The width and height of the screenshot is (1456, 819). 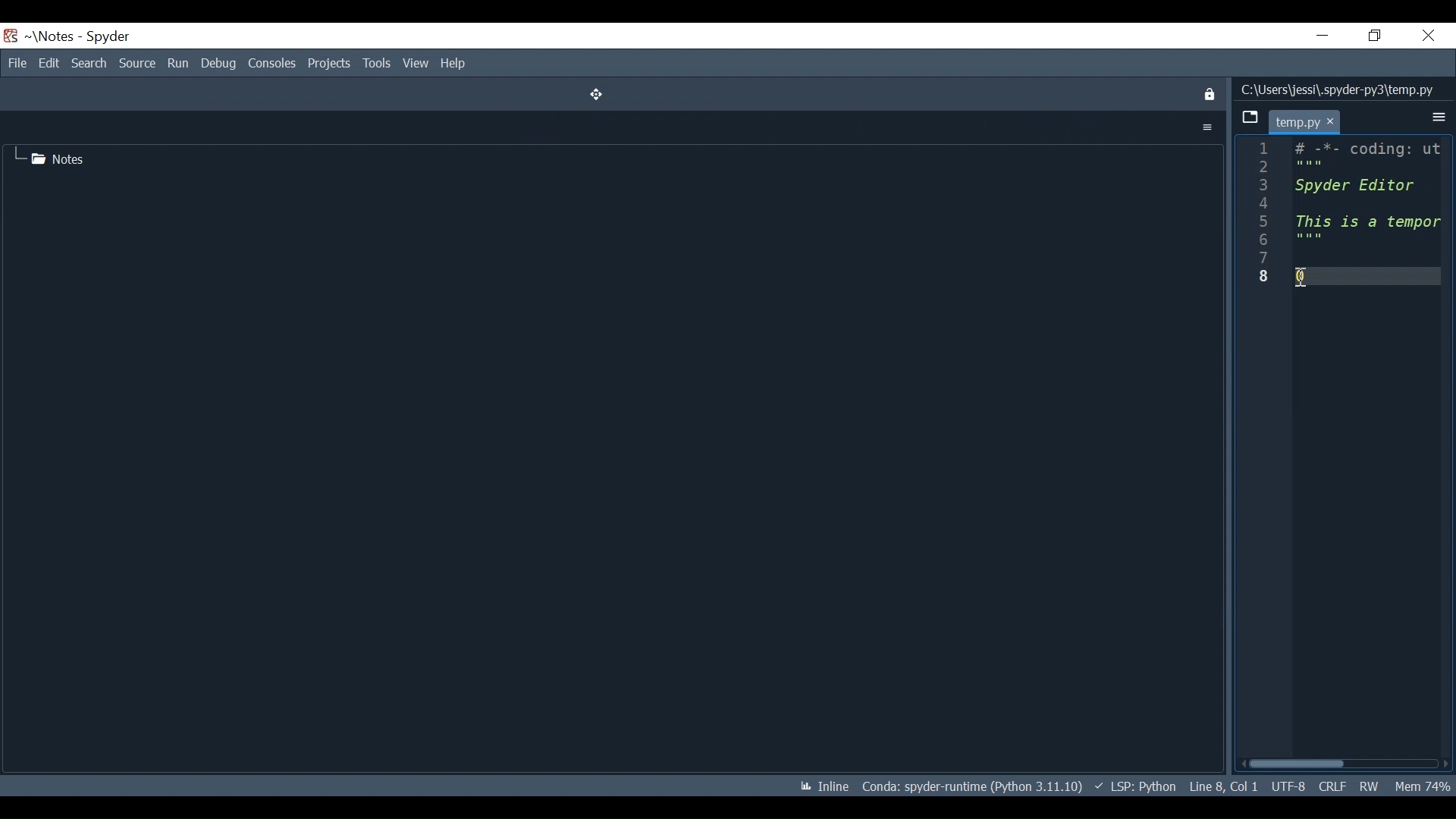 I want to click on Move, so click(x=591, y=94).